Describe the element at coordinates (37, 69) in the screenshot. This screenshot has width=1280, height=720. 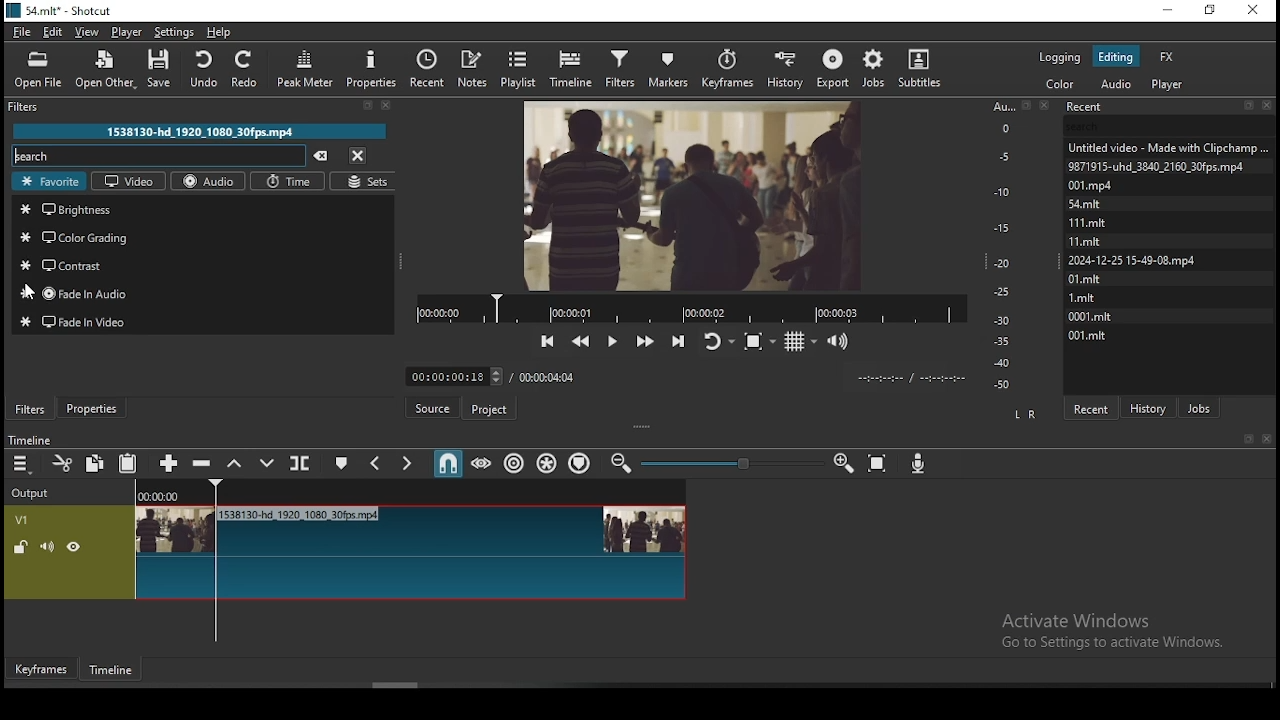
I see `open file` at that location.